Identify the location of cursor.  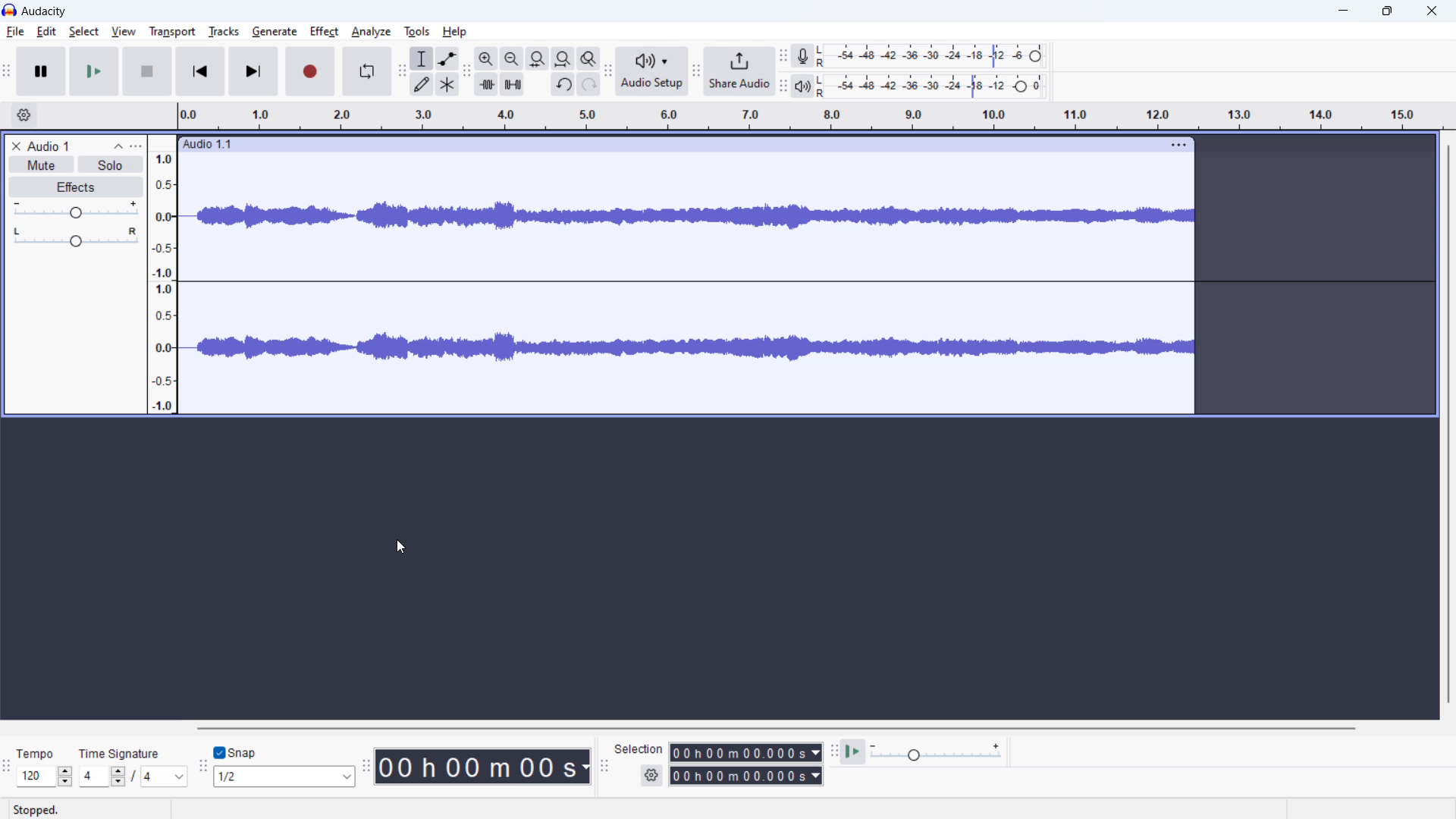
(400, 547).